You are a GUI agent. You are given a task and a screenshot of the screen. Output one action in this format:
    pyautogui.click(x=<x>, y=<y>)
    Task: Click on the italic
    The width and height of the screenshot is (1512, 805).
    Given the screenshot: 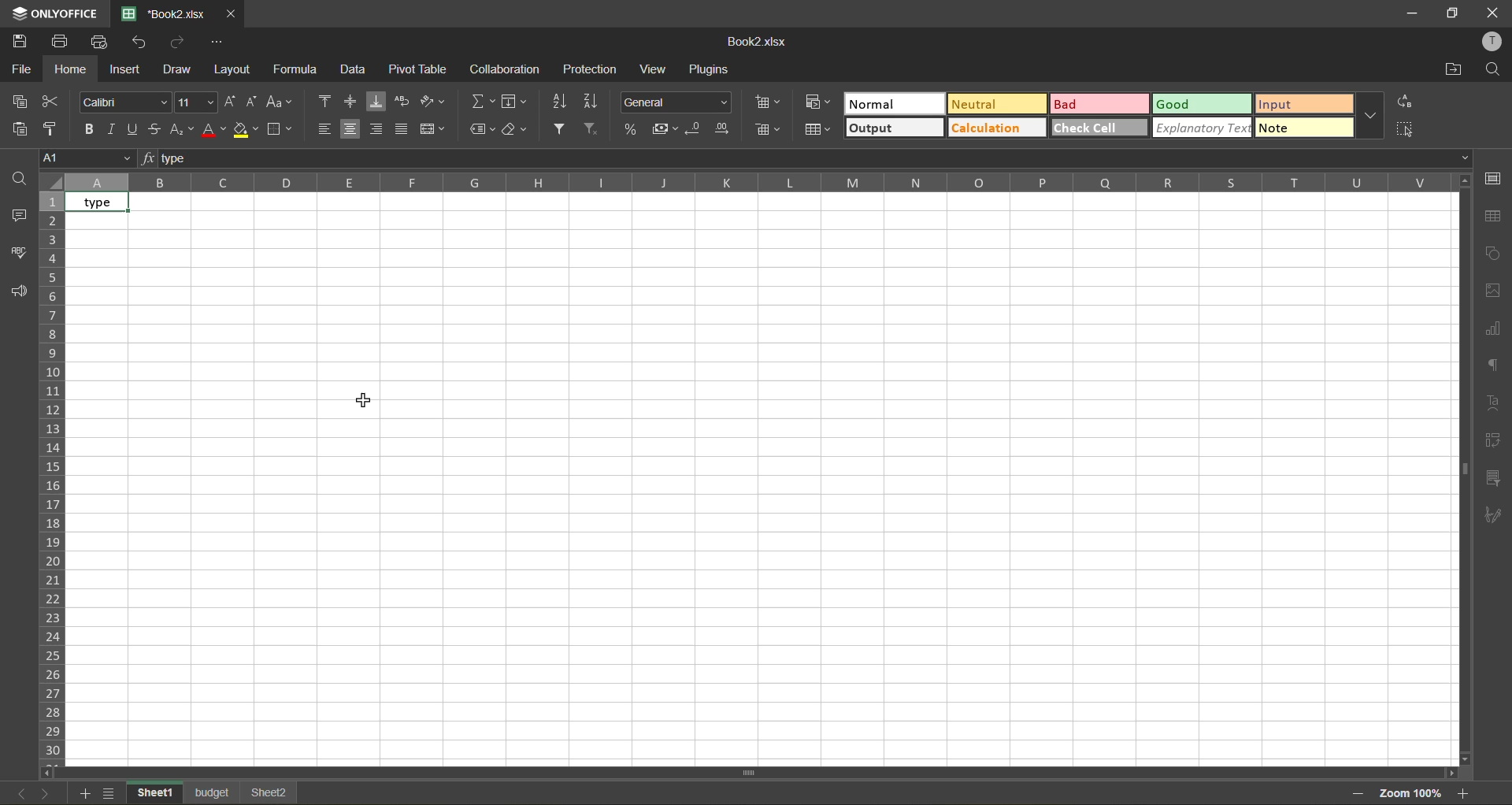 What is the action you would take?
    pyautogui.click(x=113, y=130)
    